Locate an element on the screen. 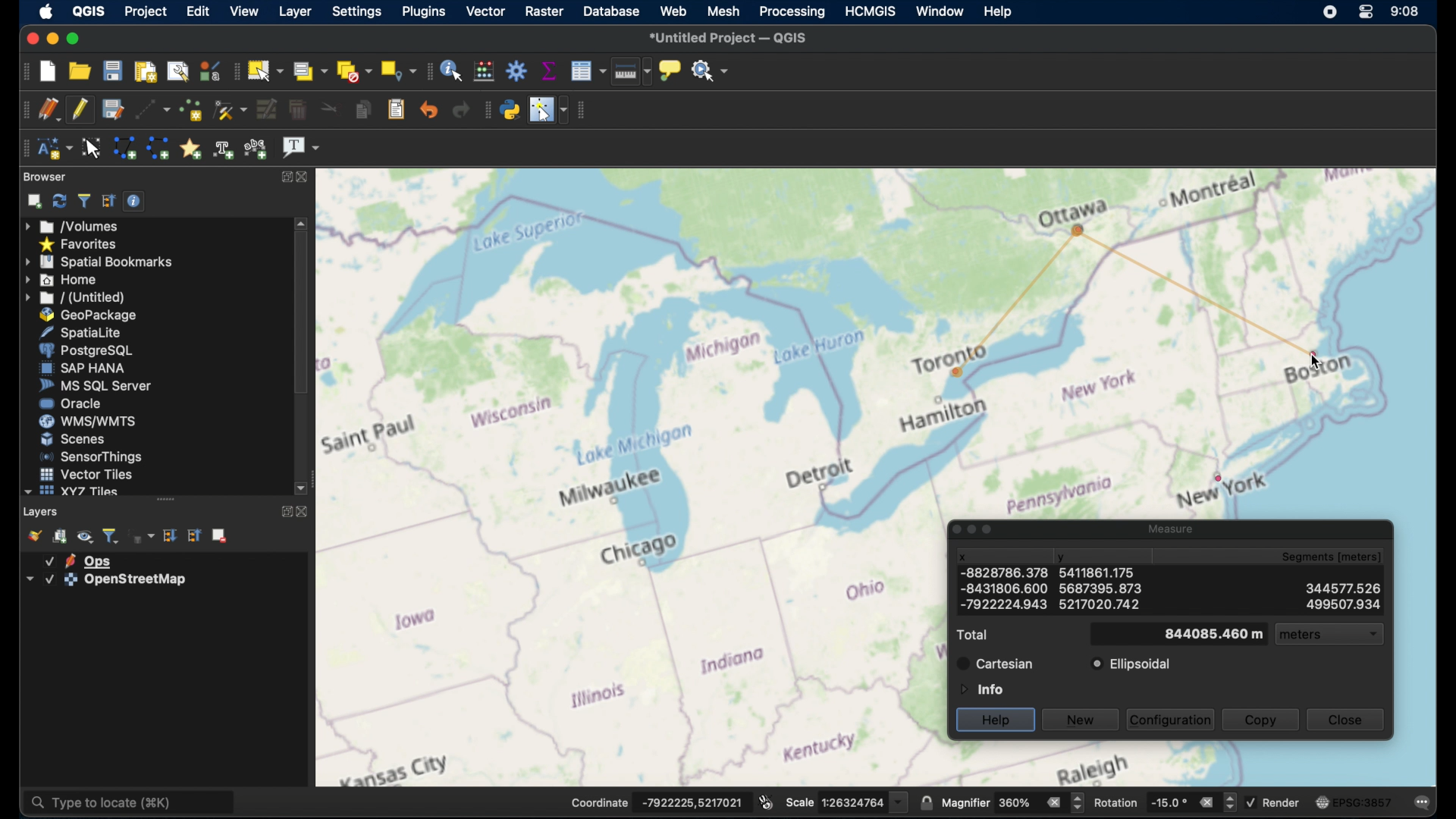  undo is located at coordinates (429, 110).